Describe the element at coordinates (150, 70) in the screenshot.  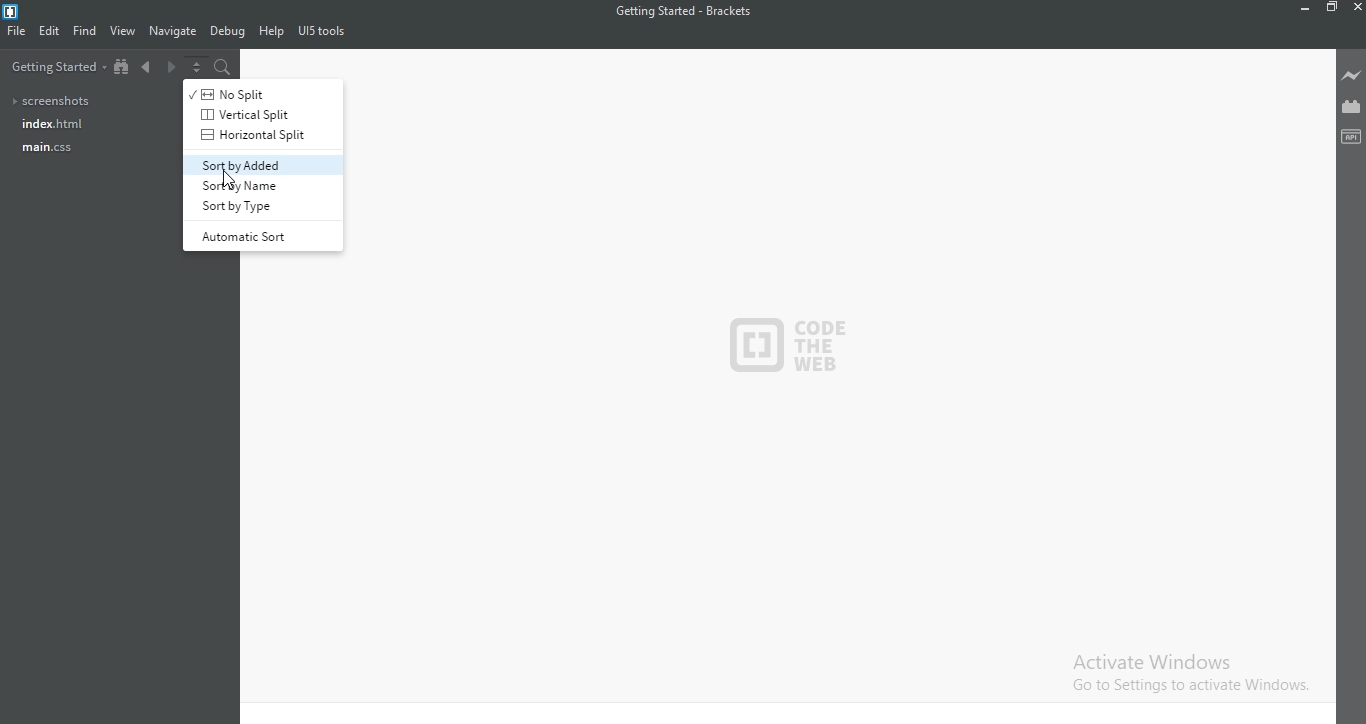
I see `Previous document` at that location.